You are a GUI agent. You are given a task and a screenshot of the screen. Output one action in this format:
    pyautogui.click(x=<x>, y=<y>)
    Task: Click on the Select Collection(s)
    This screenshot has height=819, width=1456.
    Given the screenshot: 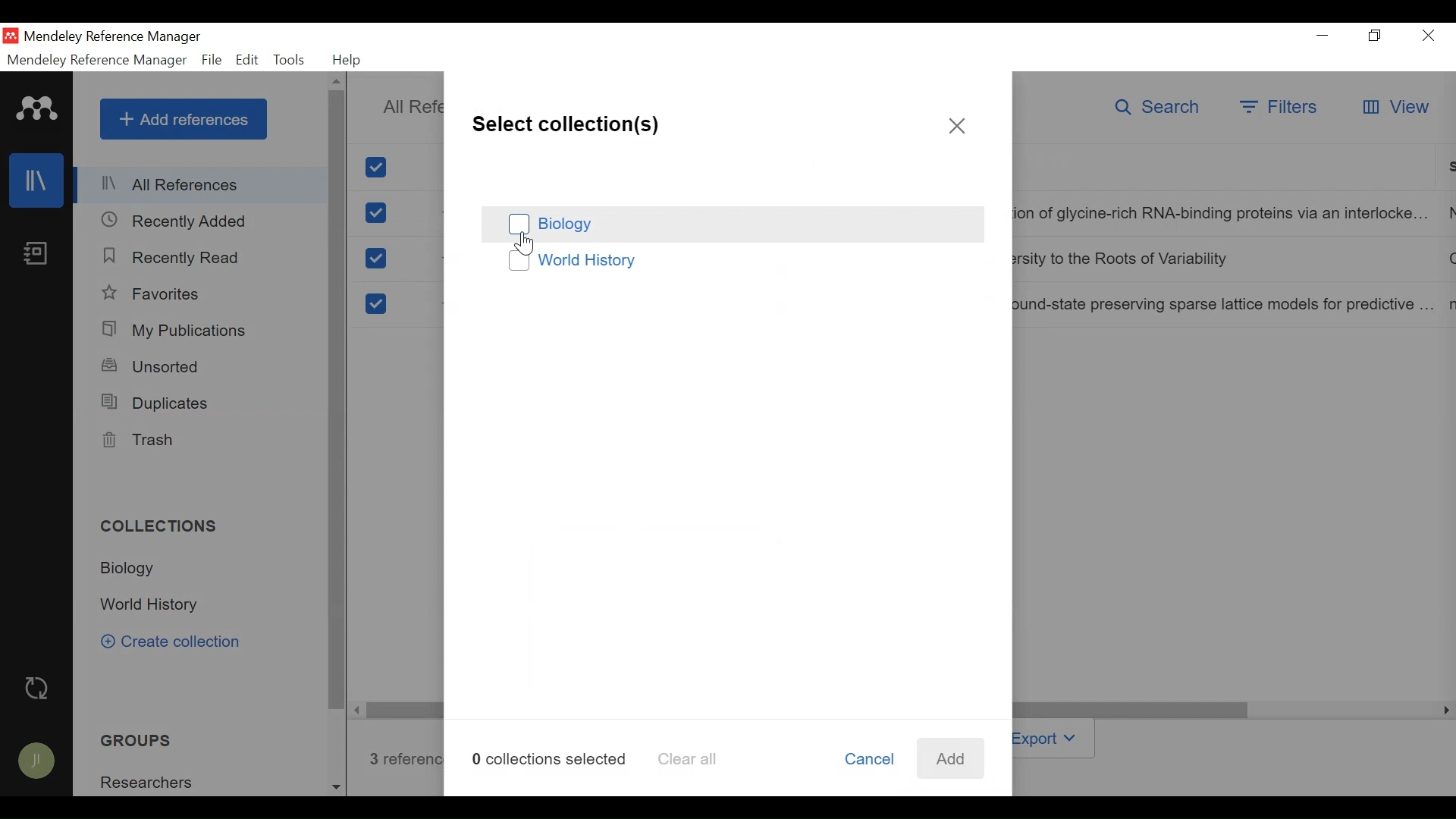 What is the action you would take?
    pyautogui.click(x=566, y=122)
    